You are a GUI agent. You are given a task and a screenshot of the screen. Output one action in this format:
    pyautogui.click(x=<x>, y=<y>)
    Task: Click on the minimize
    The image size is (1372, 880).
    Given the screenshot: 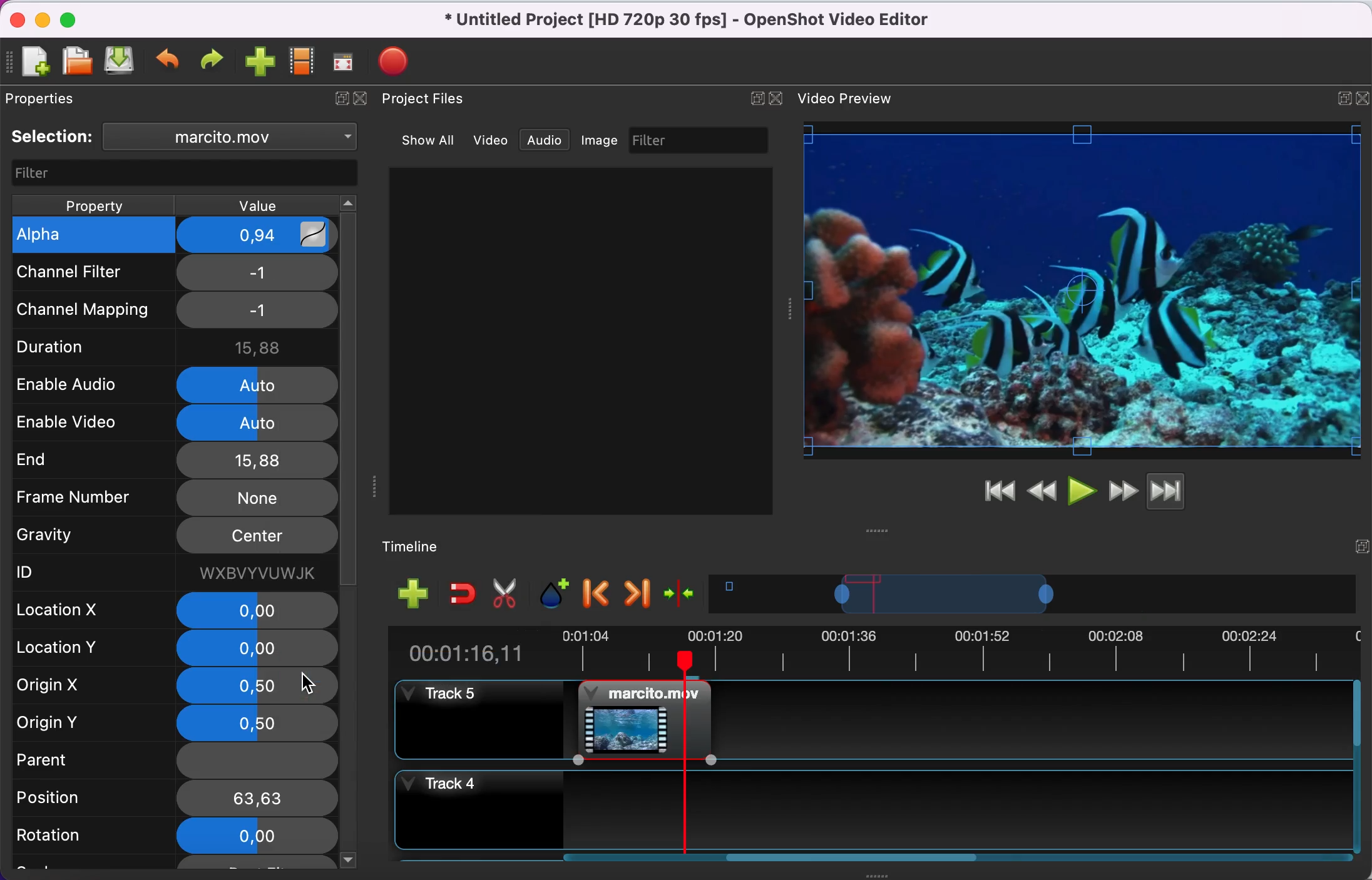 What is the action you would take?
    pyautogui.click(x=42, y=19)
    